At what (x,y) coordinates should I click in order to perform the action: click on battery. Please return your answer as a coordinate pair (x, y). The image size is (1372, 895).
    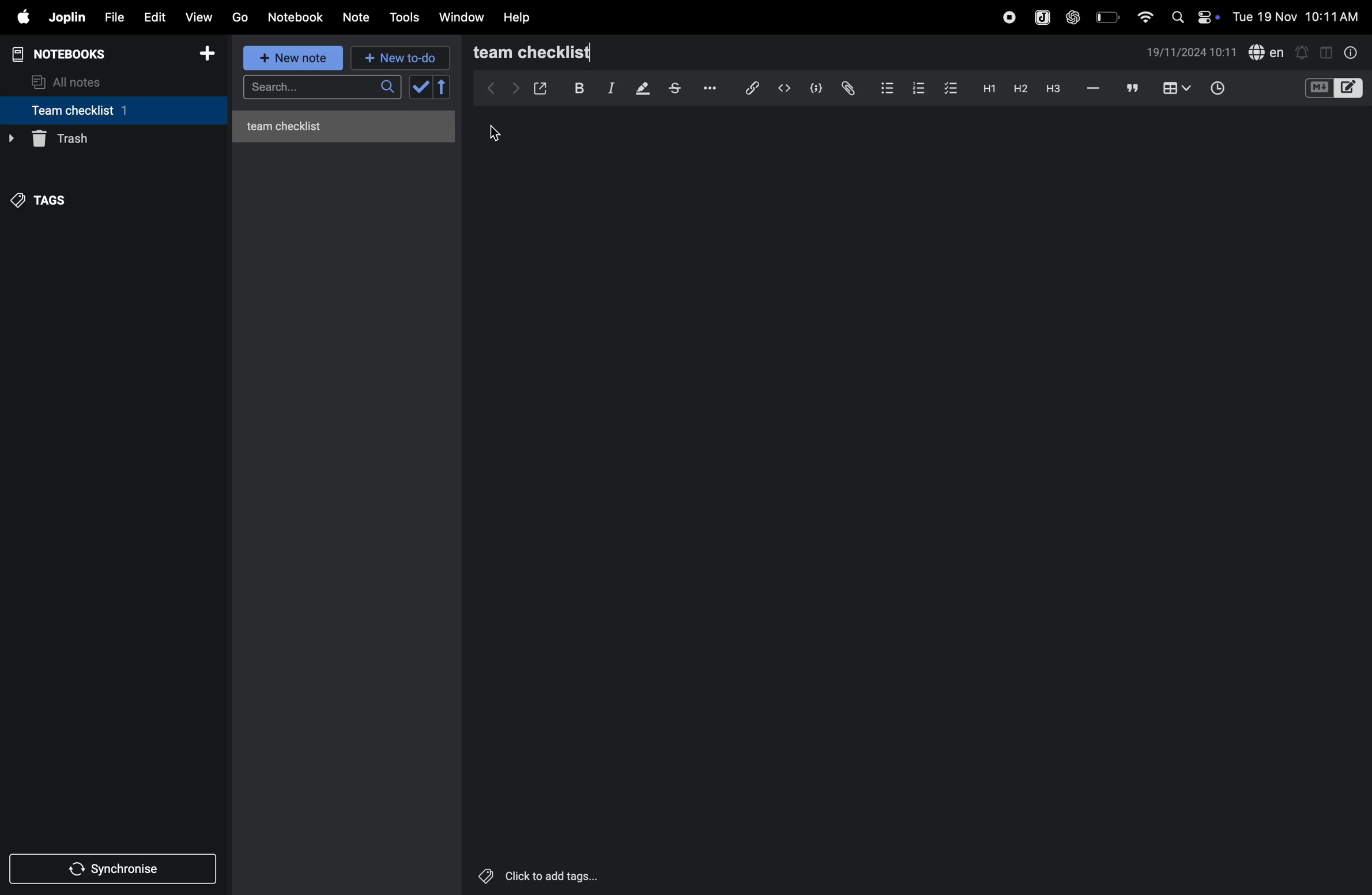
    Looking at the image, I should click on (1106, 17).